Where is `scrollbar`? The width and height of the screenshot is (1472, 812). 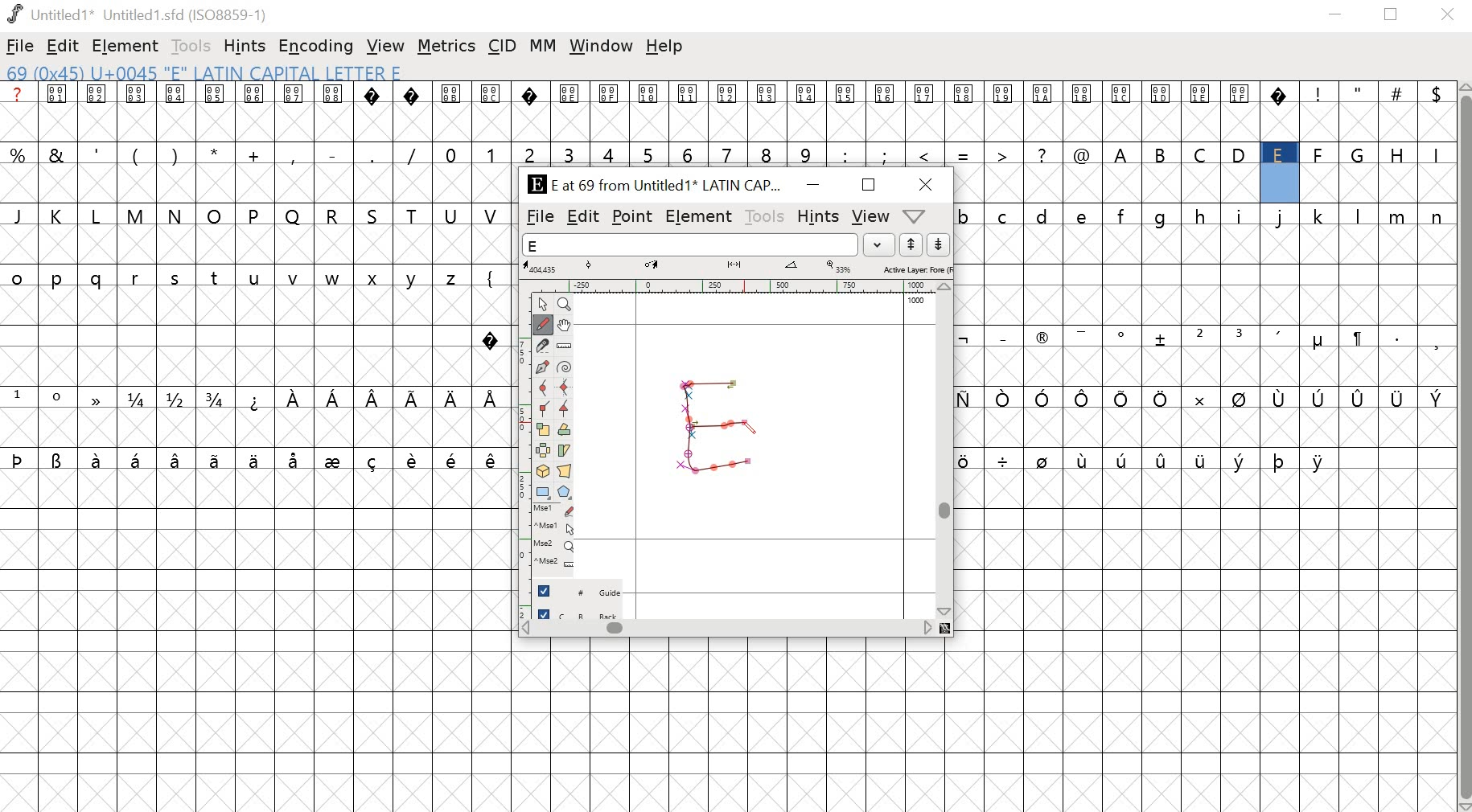 scrollbar is located at coordinates (948, 450).